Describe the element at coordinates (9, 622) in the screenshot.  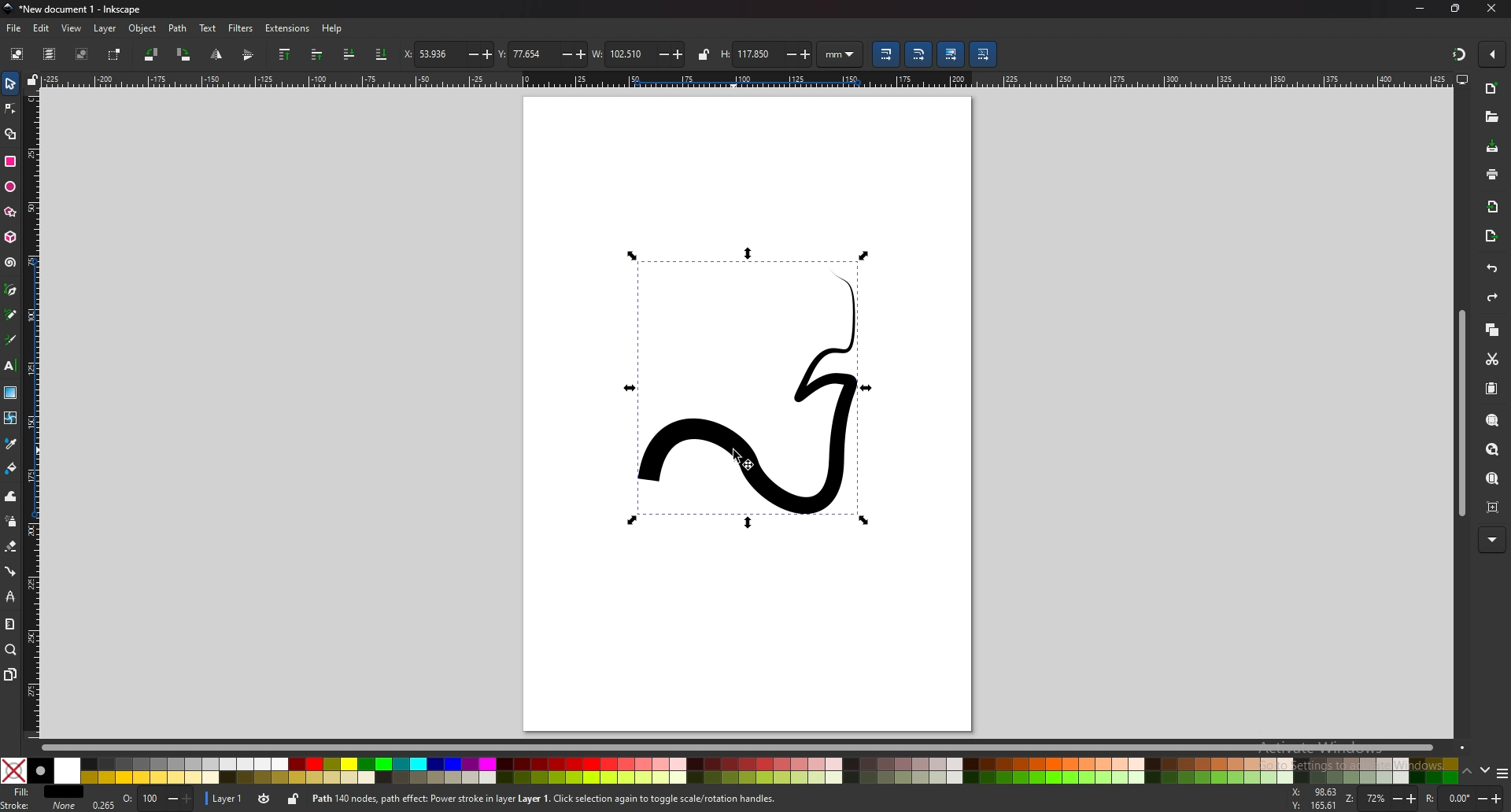
I see `measure` at that location.